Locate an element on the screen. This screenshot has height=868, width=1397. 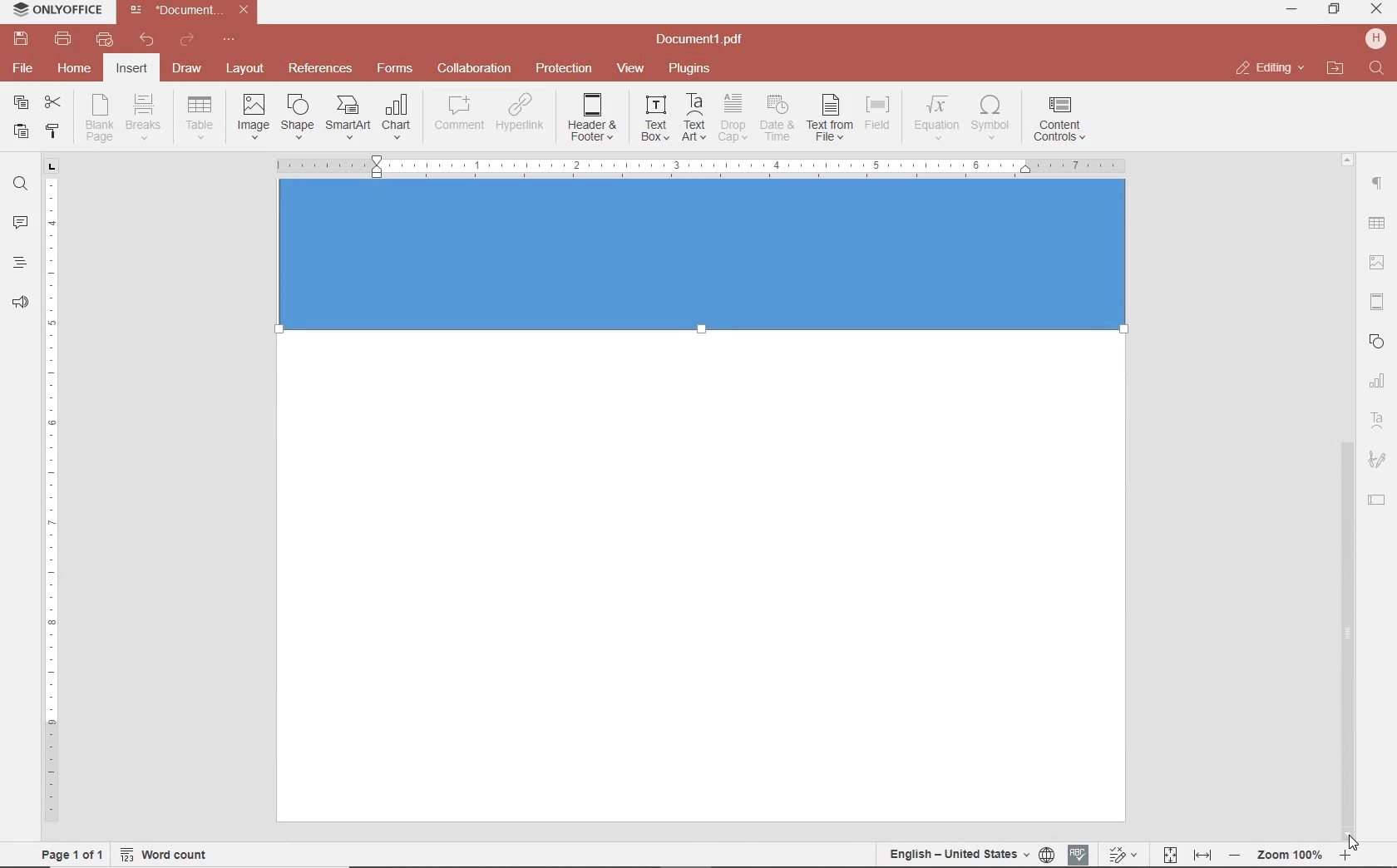
INSERT PAGE OR SECTION BREAK is located at coordinates (143, 118).